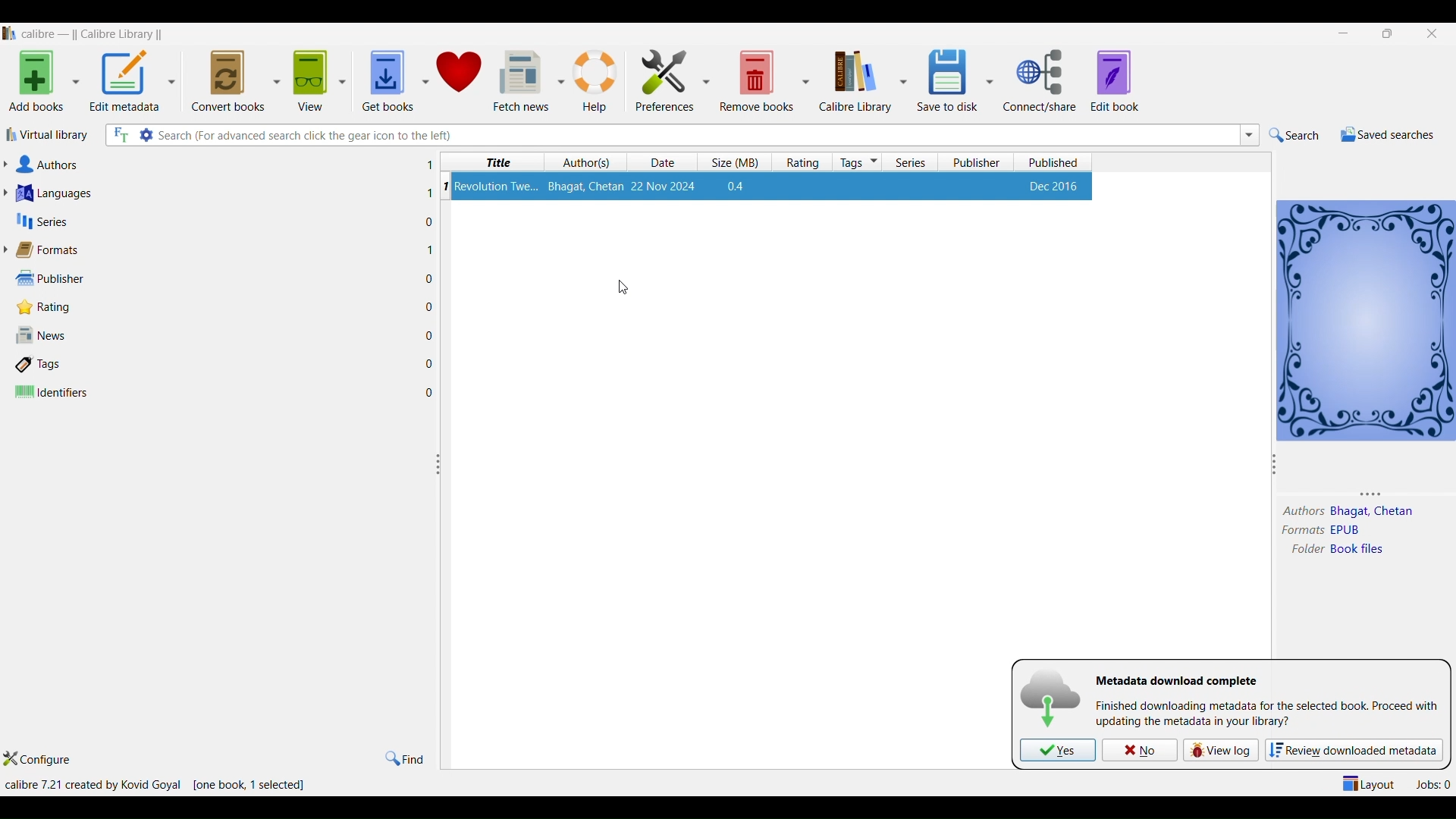  I want to click on Author list dropdown button, so click(10, 165).